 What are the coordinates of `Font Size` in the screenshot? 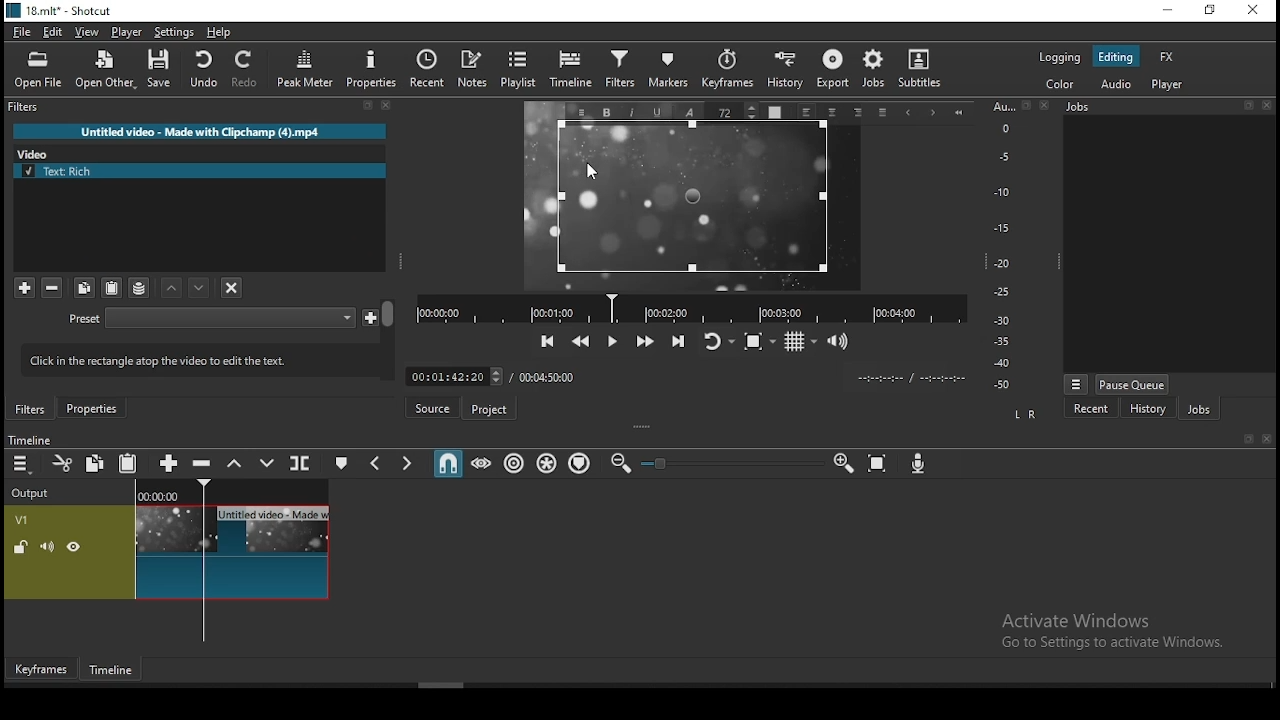 It's located at (734, 111).